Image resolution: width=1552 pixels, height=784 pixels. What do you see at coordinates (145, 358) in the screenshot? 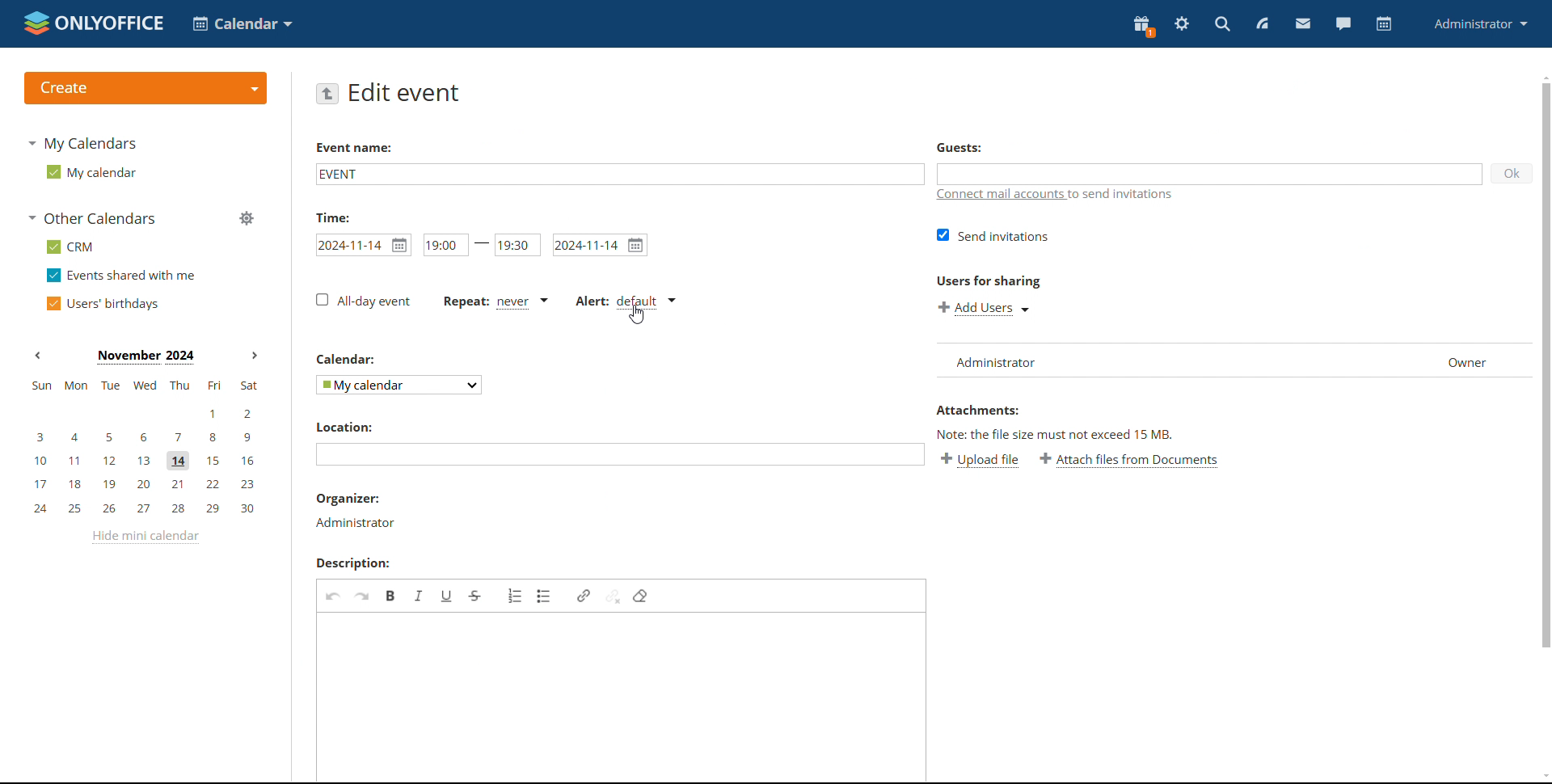
I see `current month` at bounding box center [145, 358].